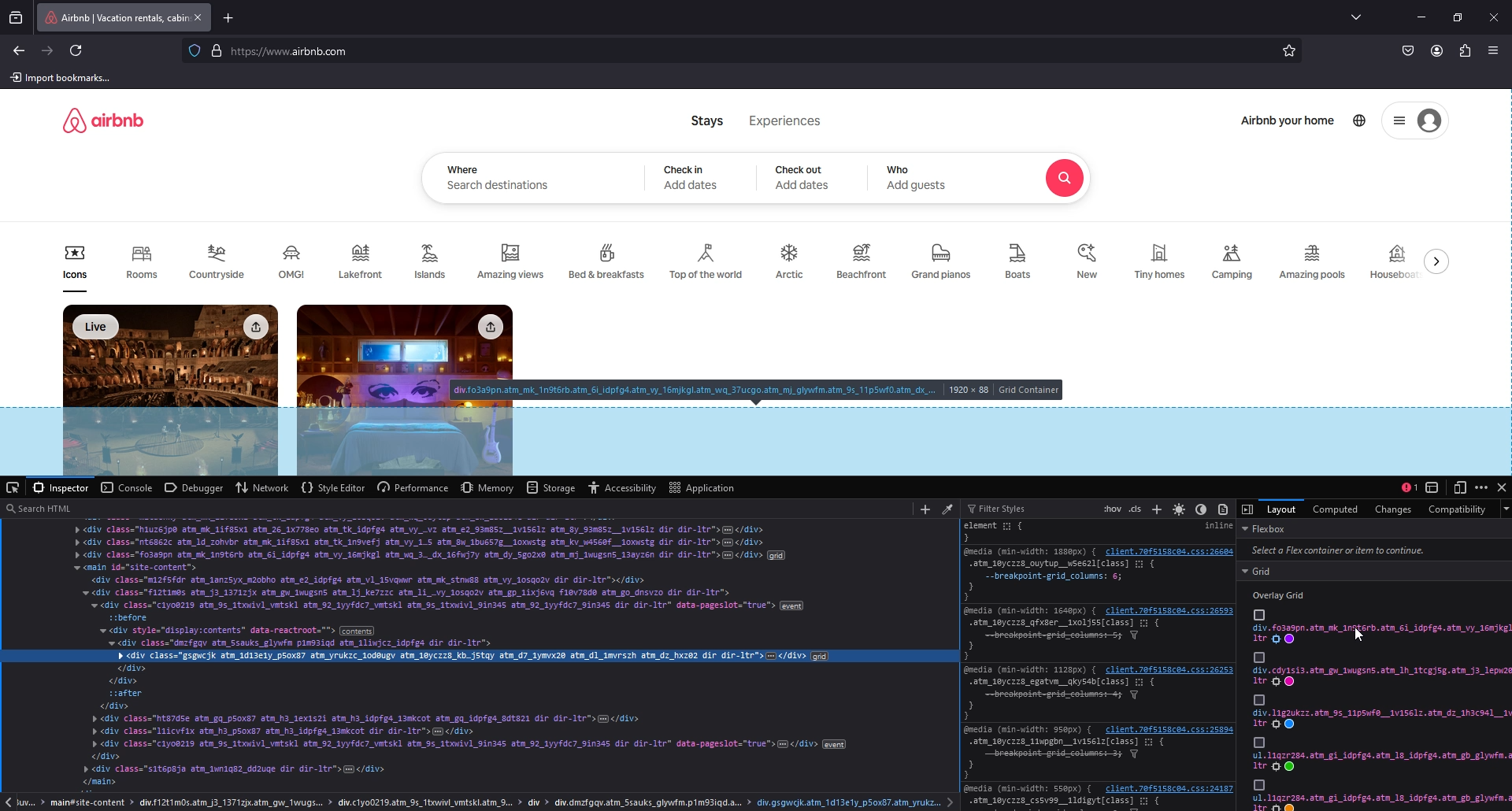 This screenshot has width=1512, height=811. What do you see at coordinates (261, 488) in the screenshot?
I see `network` at bounding box center [261, 488].